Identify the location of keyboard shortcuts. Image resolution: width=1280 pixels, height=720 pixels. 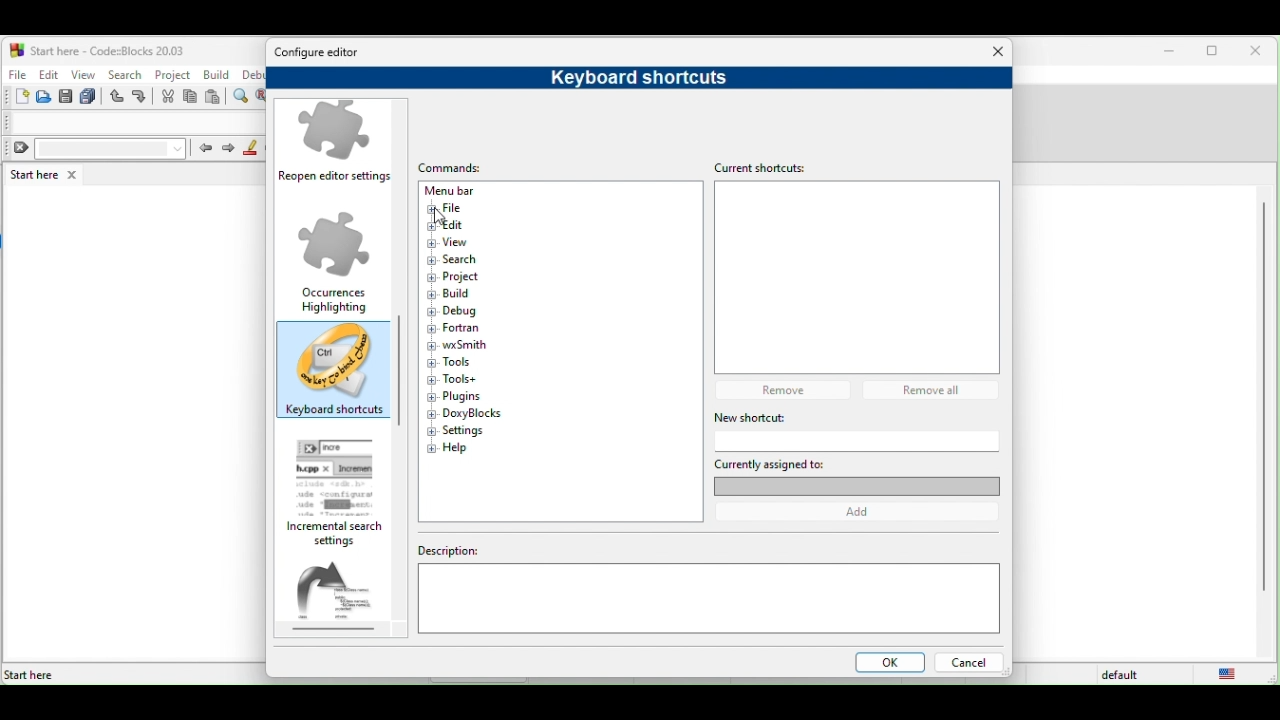
(334, 373).